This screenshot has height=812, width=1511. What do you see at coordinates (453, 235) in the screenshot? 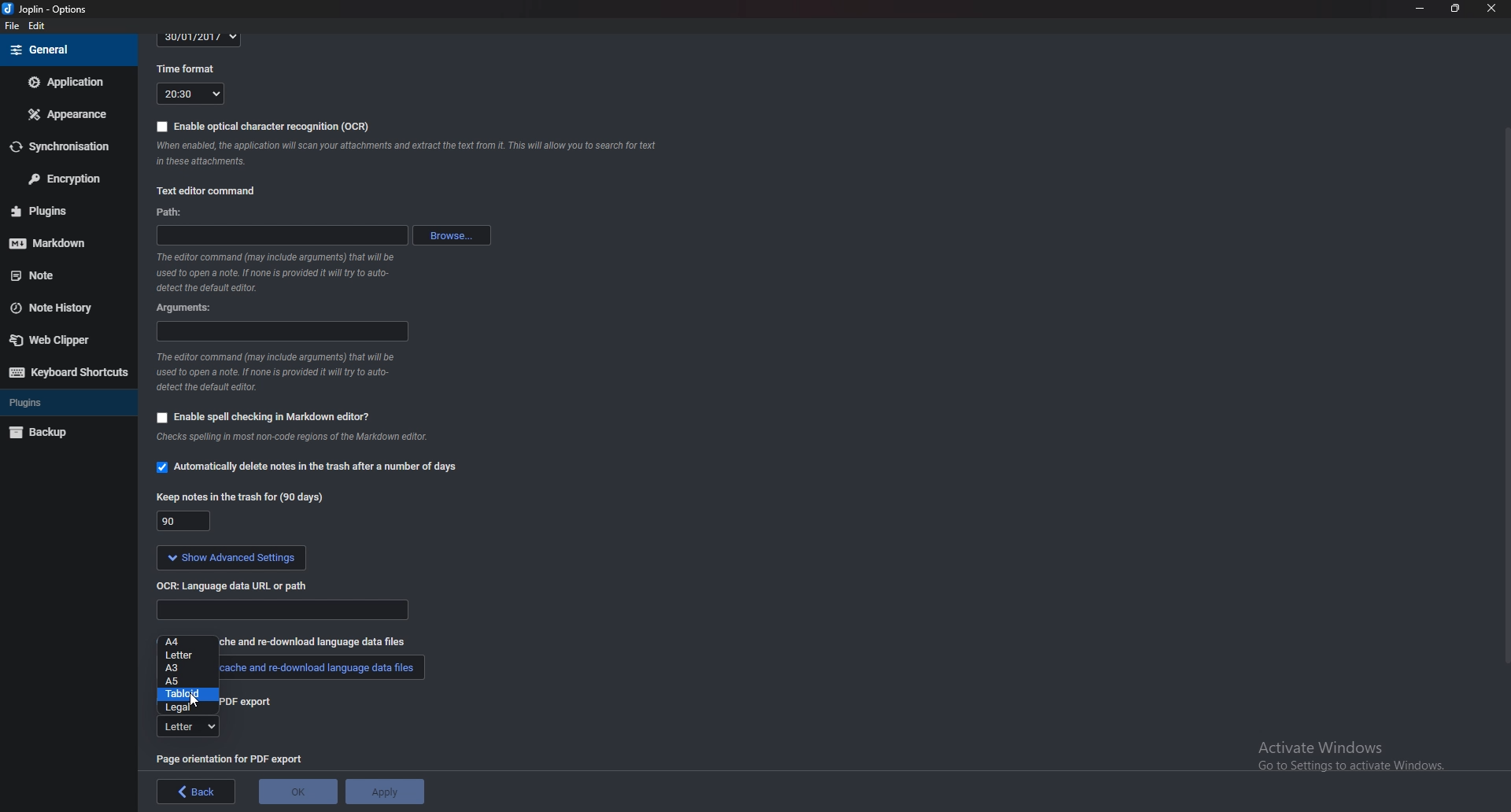
I see `browse` at bounding box center [453, 235].